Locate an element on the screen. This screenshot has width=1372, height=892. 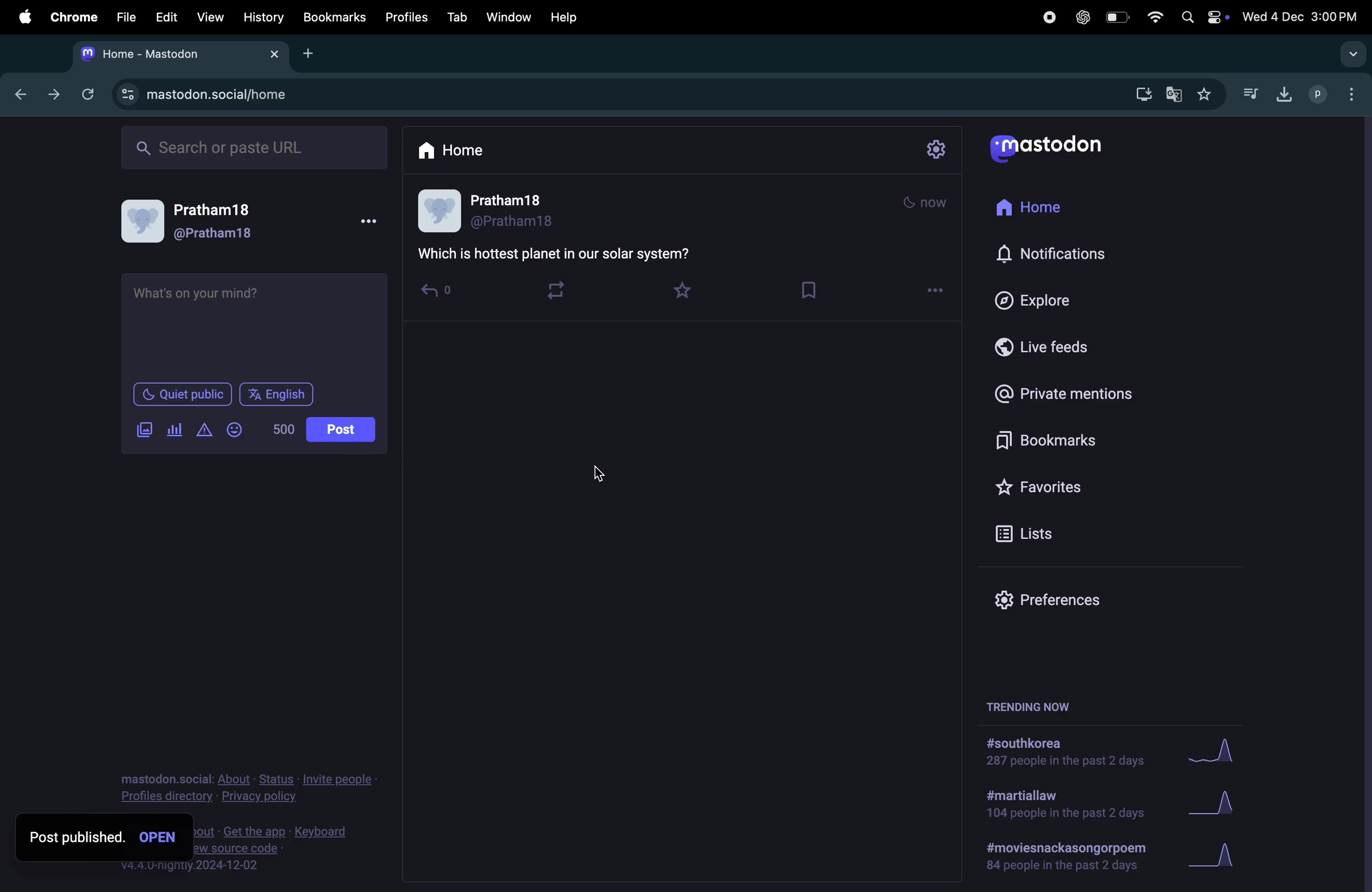
graph is located at coordinates (1213, 749).